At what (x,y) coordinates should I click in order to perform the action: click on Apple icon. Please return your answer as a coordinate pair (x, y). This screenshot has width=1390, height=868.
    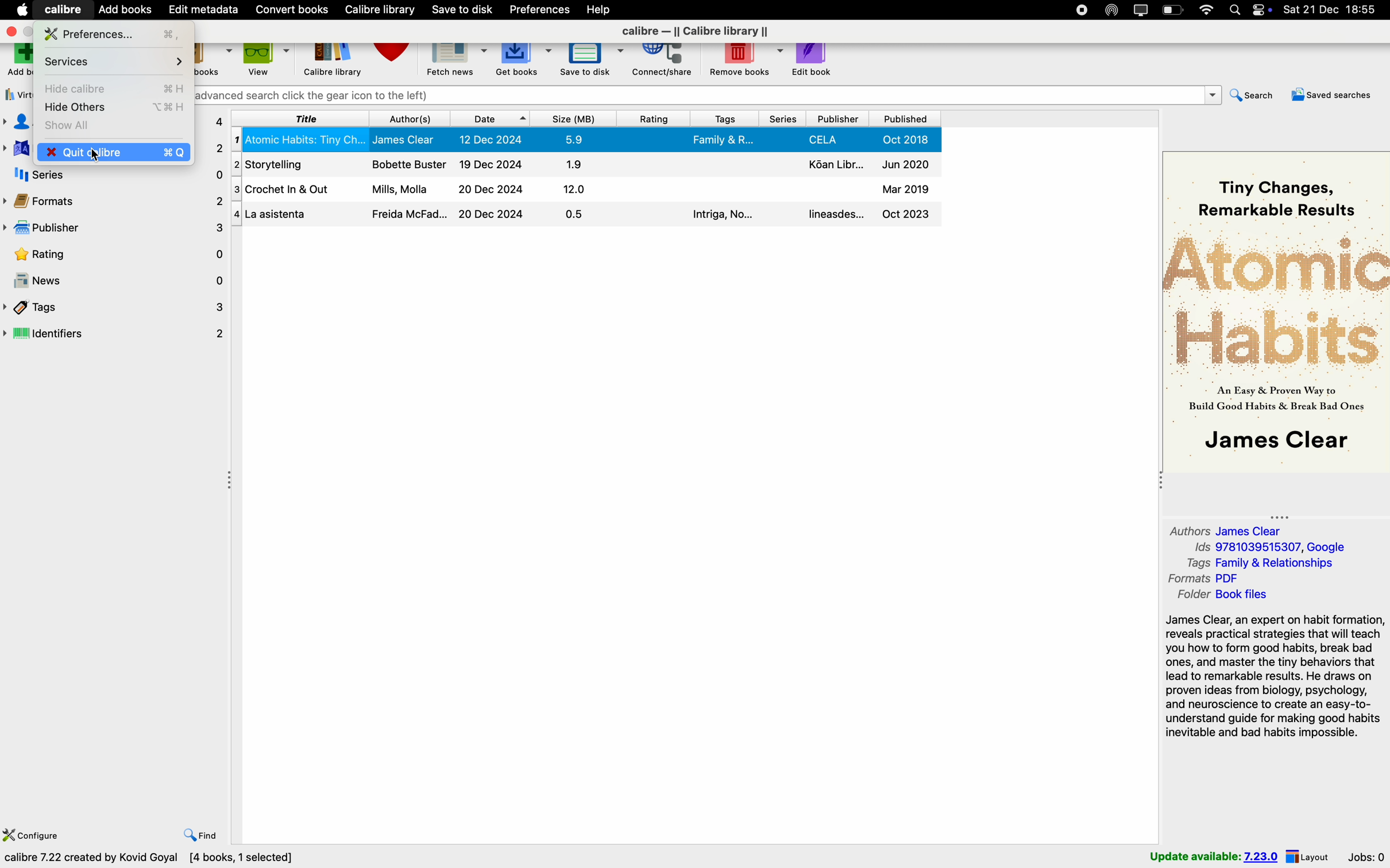
    Looking at the image, I should click on (19, 9).